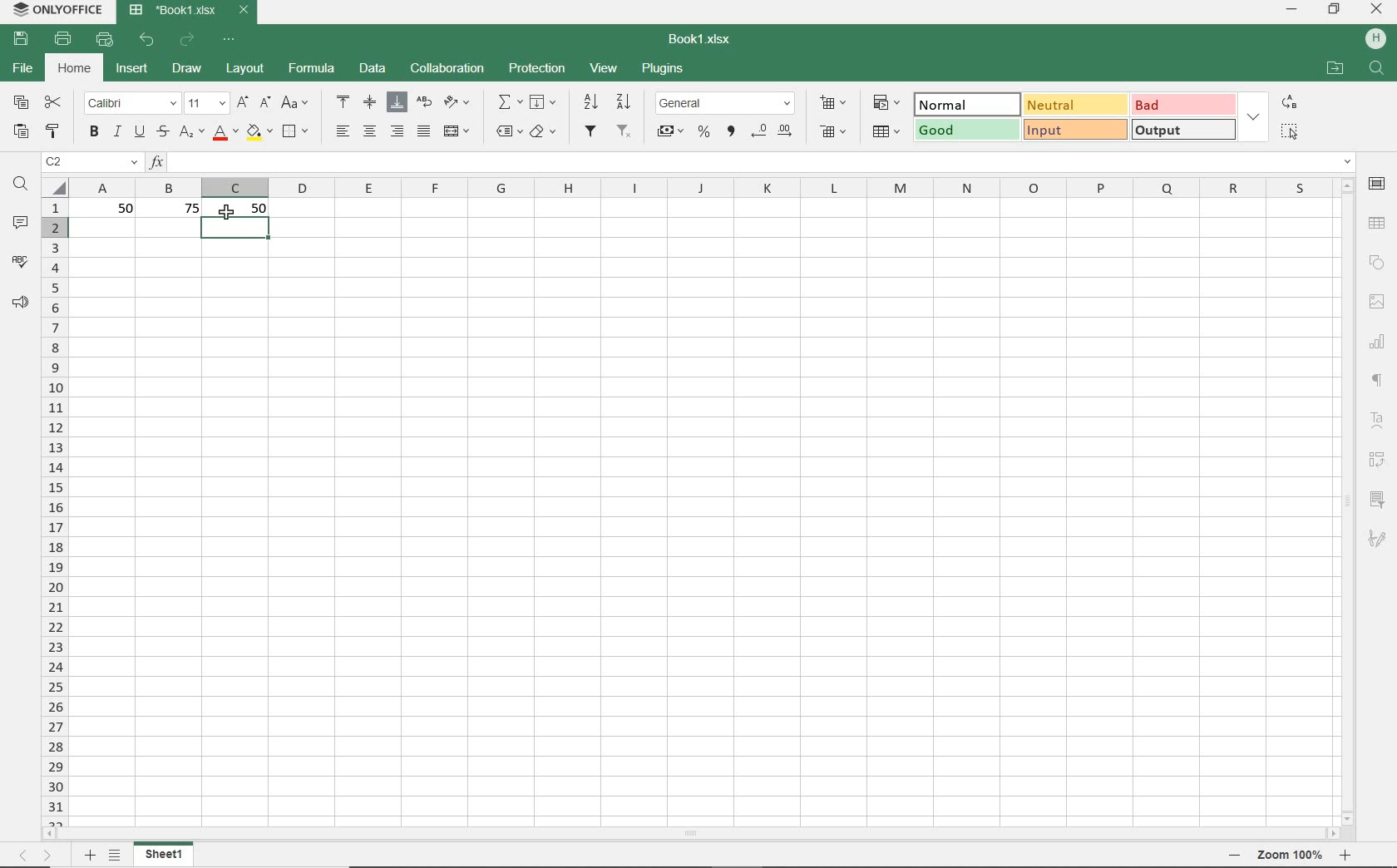 The image size is (1397, 868). What do you see at coordinates (132, 69) in the screenshot?
I see `insert` at bounding box center [132, 69].